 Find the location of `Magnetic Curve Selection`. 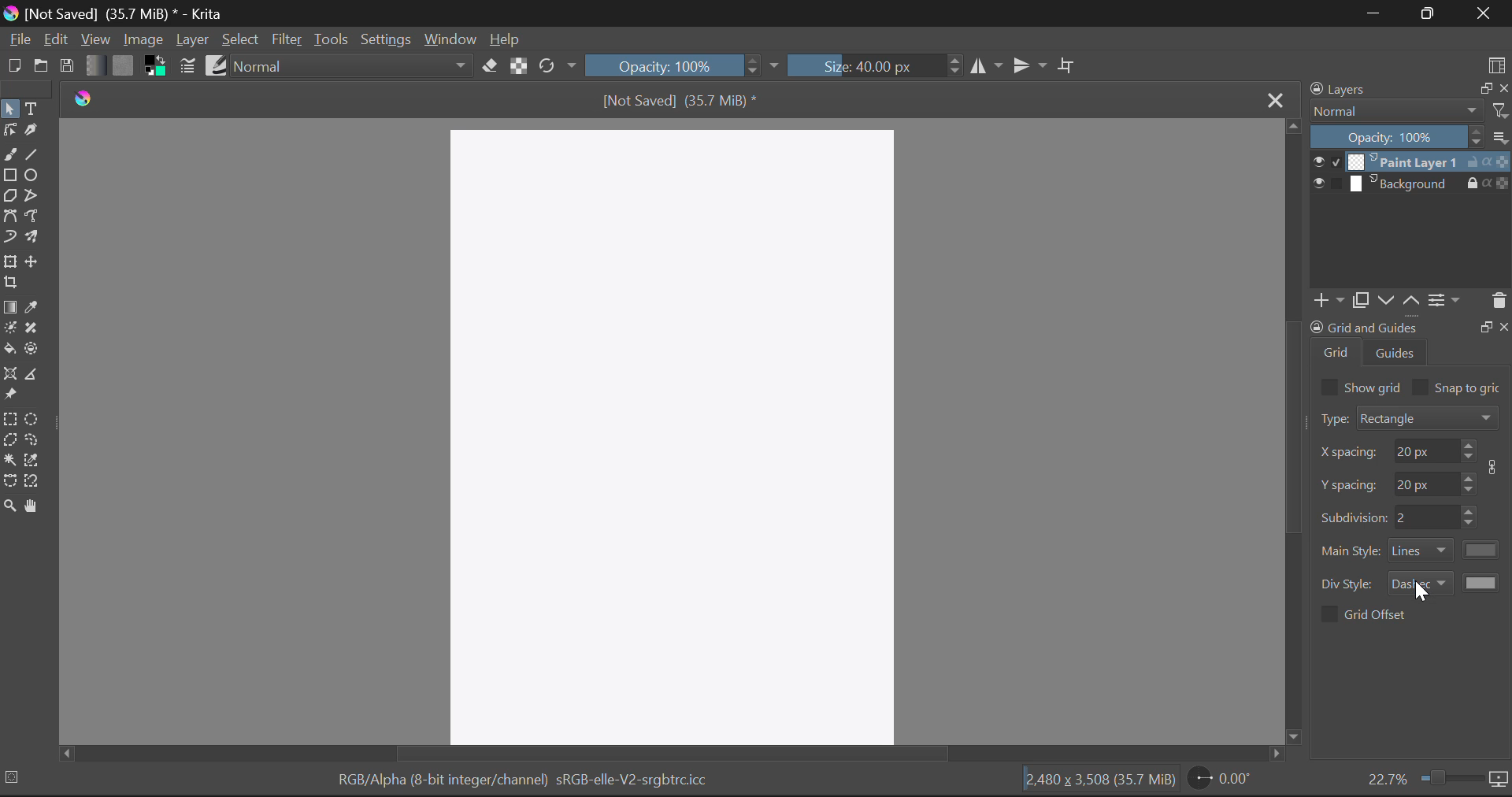

Magnetic Curve Selection is located at coordinates (34, 482).